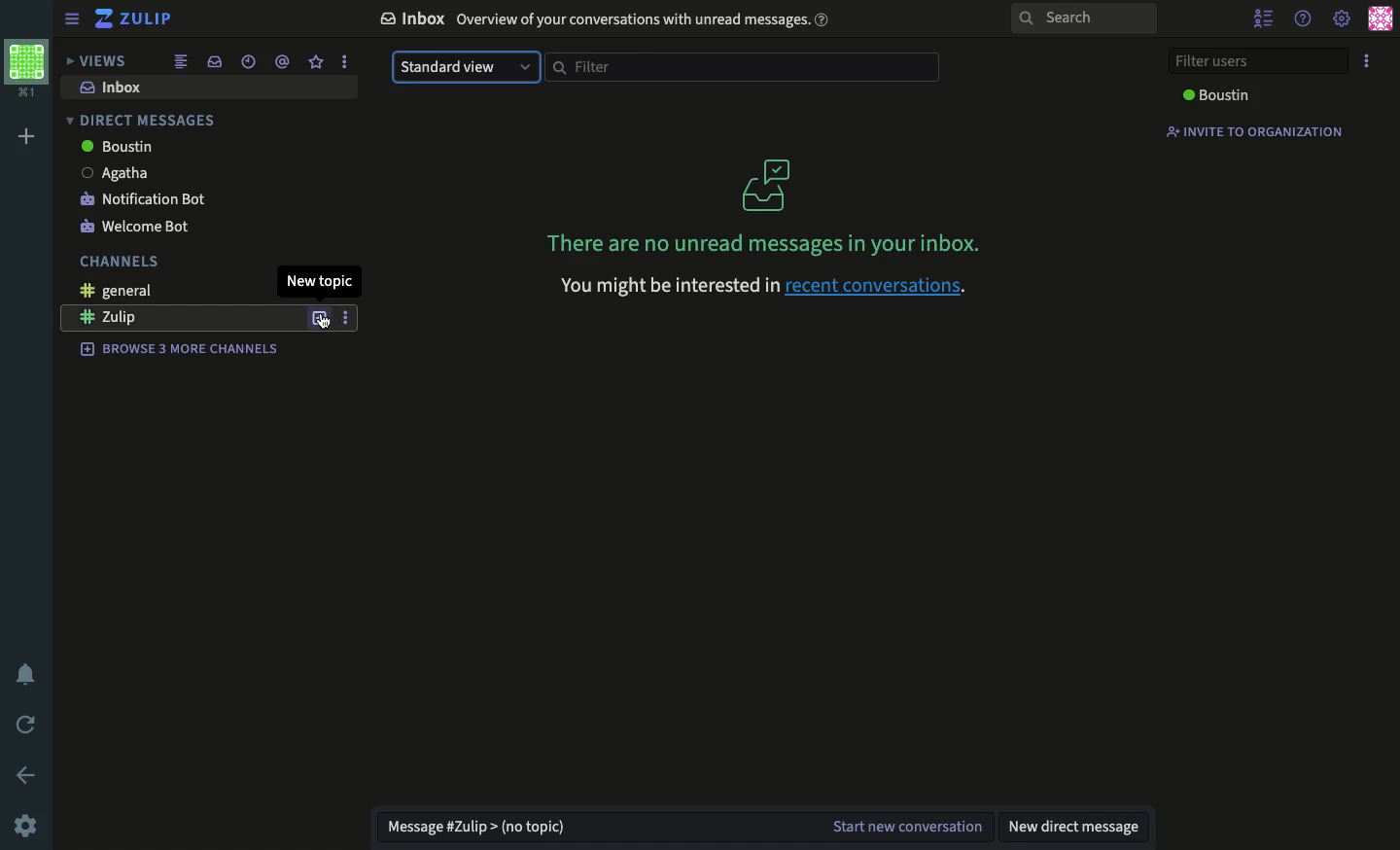  I want to click on back, so click(25, 773).